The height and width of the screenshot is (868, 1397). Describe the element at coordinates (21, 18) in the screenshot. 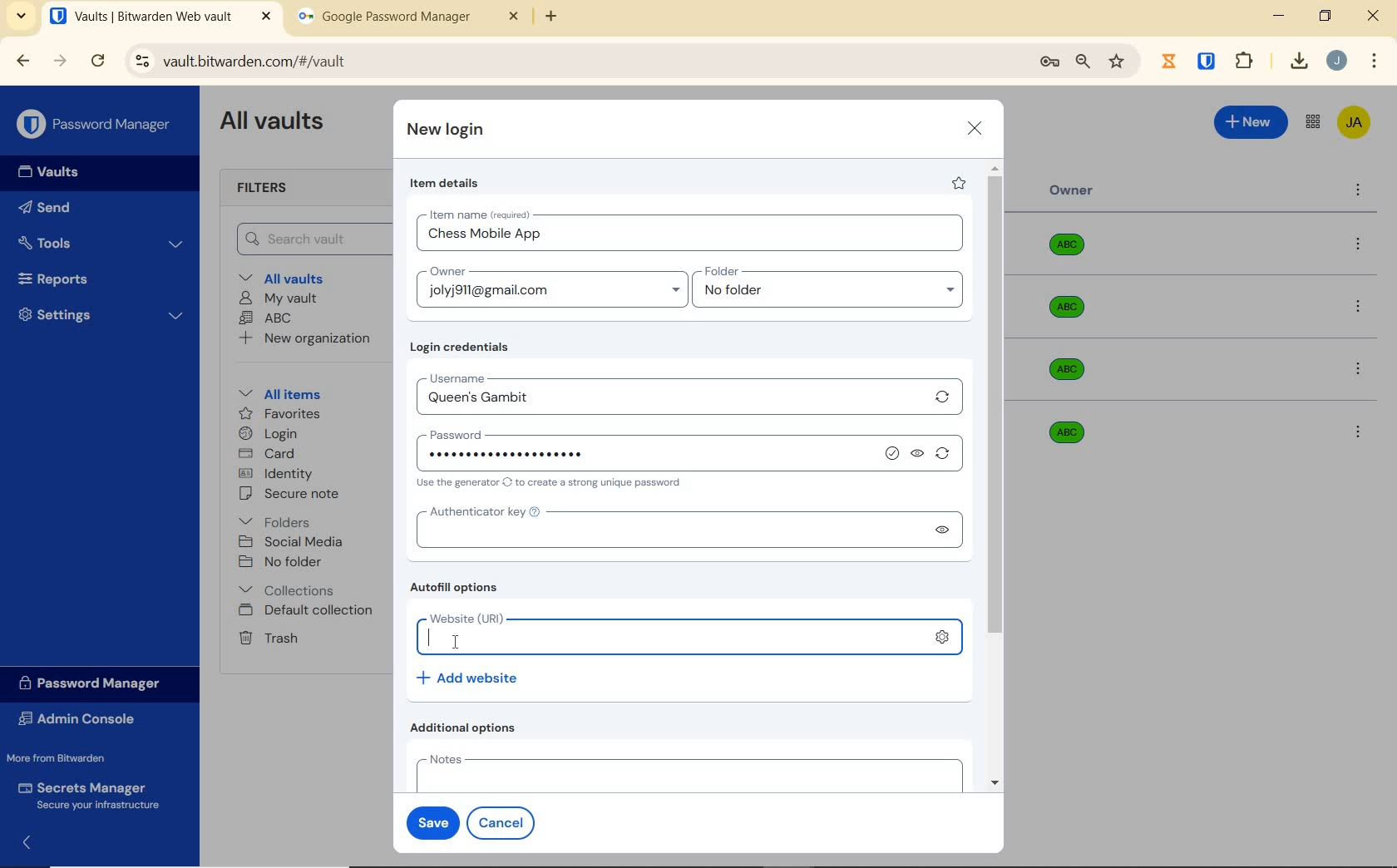

I see `search tabs` at that location.